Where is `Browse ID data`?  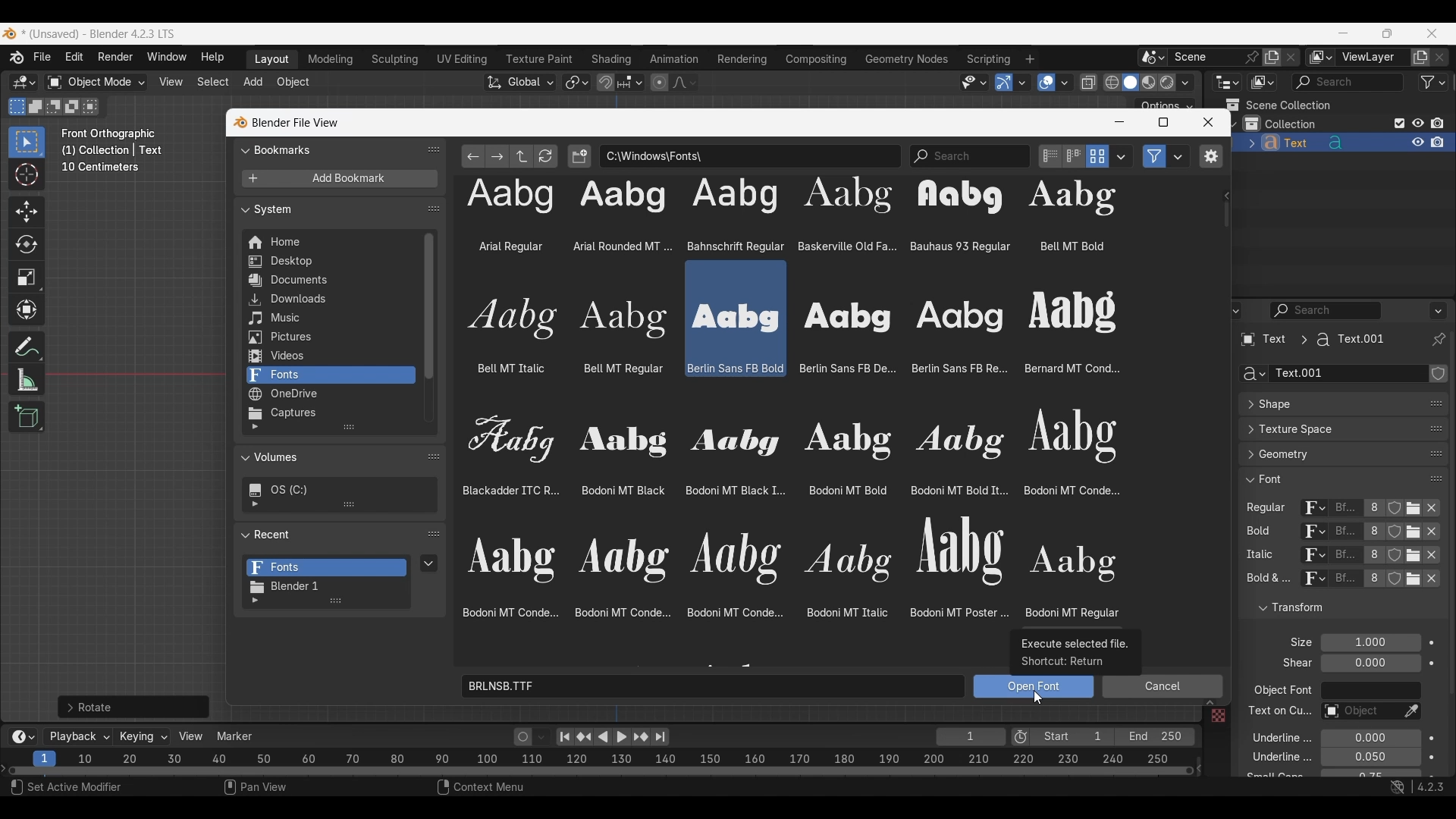 Browse ID data is located at coordinates (1307, 533).